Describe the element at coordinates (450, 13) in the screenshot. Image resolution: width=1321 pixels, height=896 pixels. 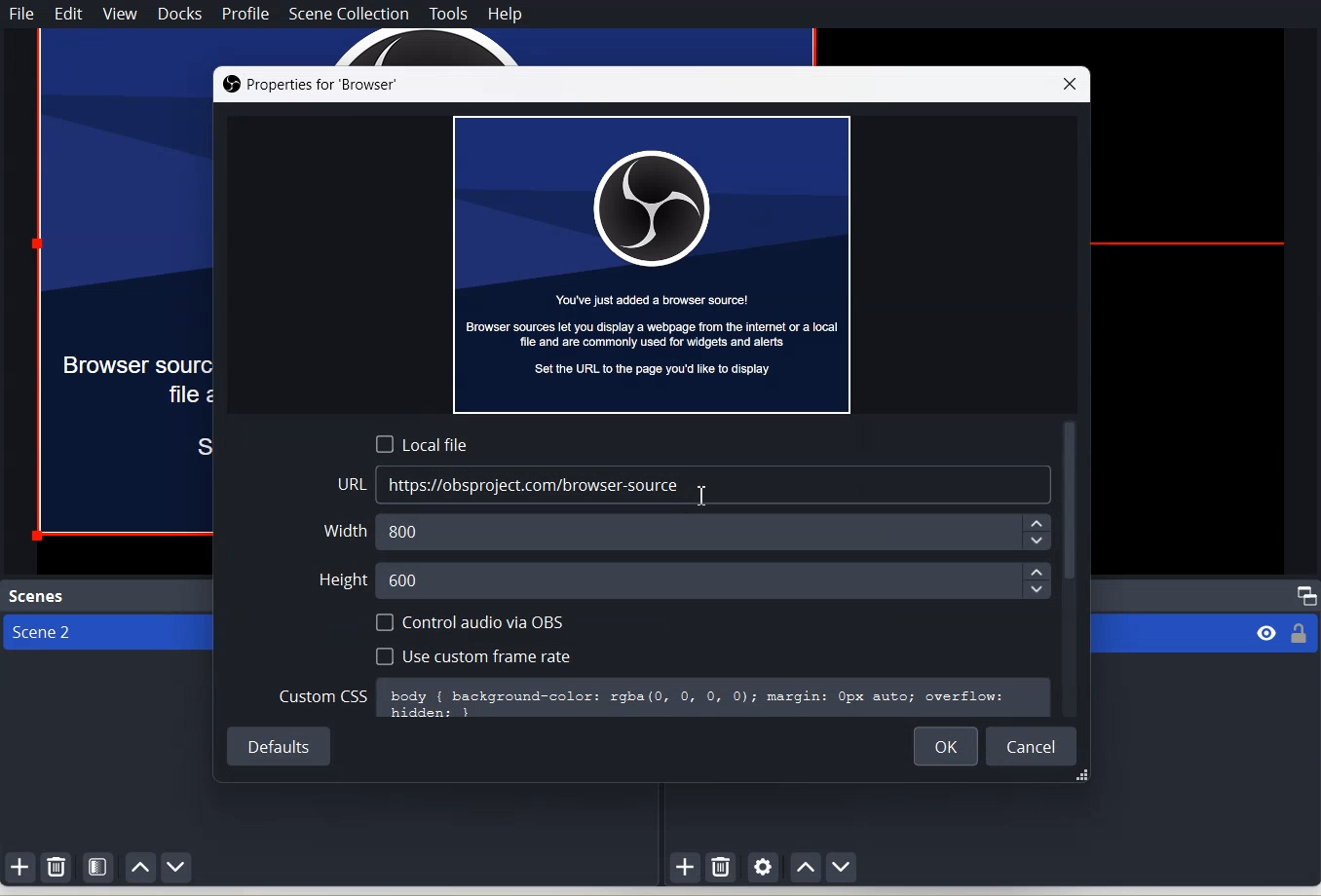
I see `Tools` at that location.